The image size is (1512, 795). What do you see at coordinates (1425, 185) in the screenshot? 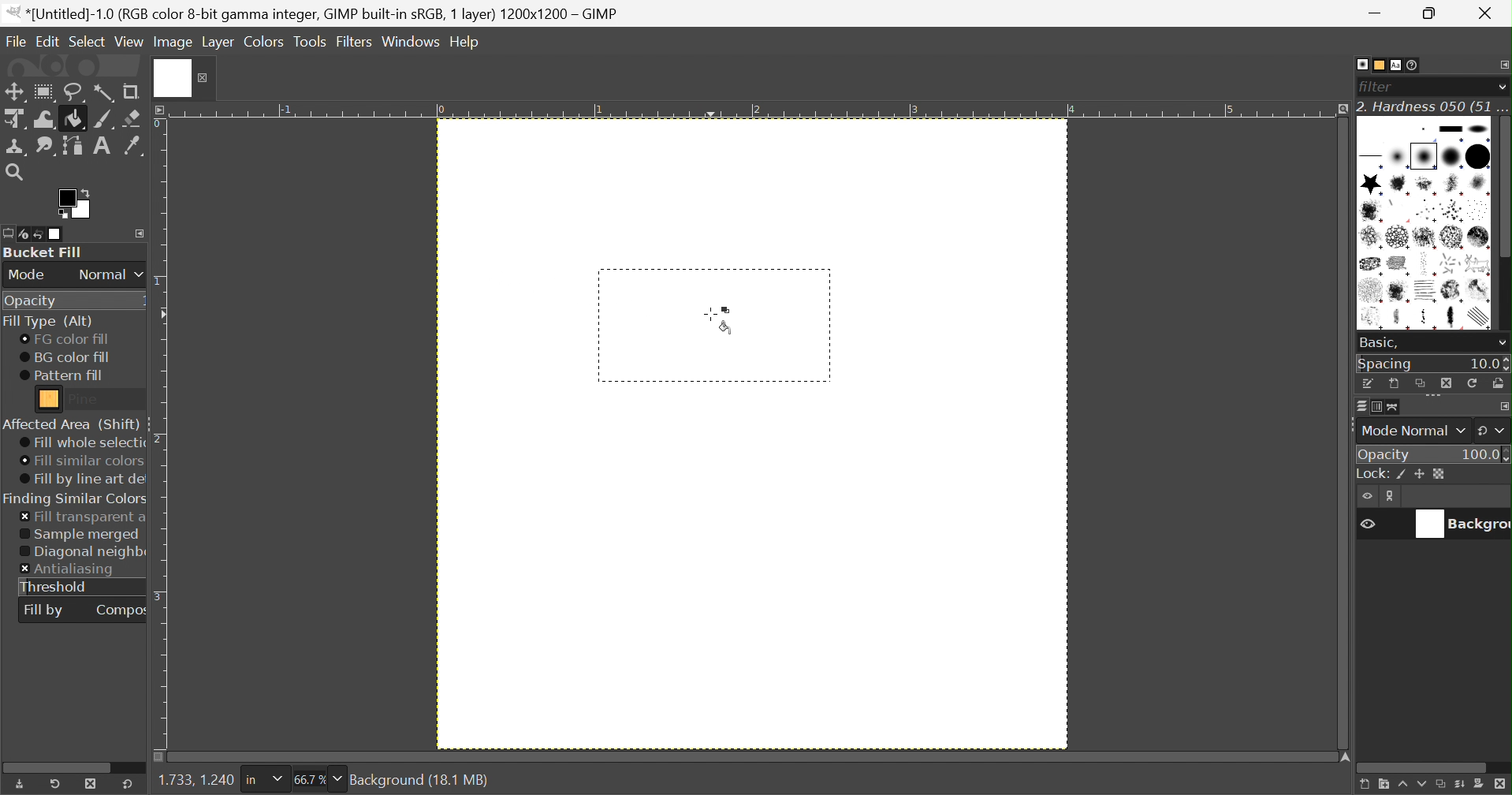
I see `Acrylic 02` at bounding box center [1425, 185].